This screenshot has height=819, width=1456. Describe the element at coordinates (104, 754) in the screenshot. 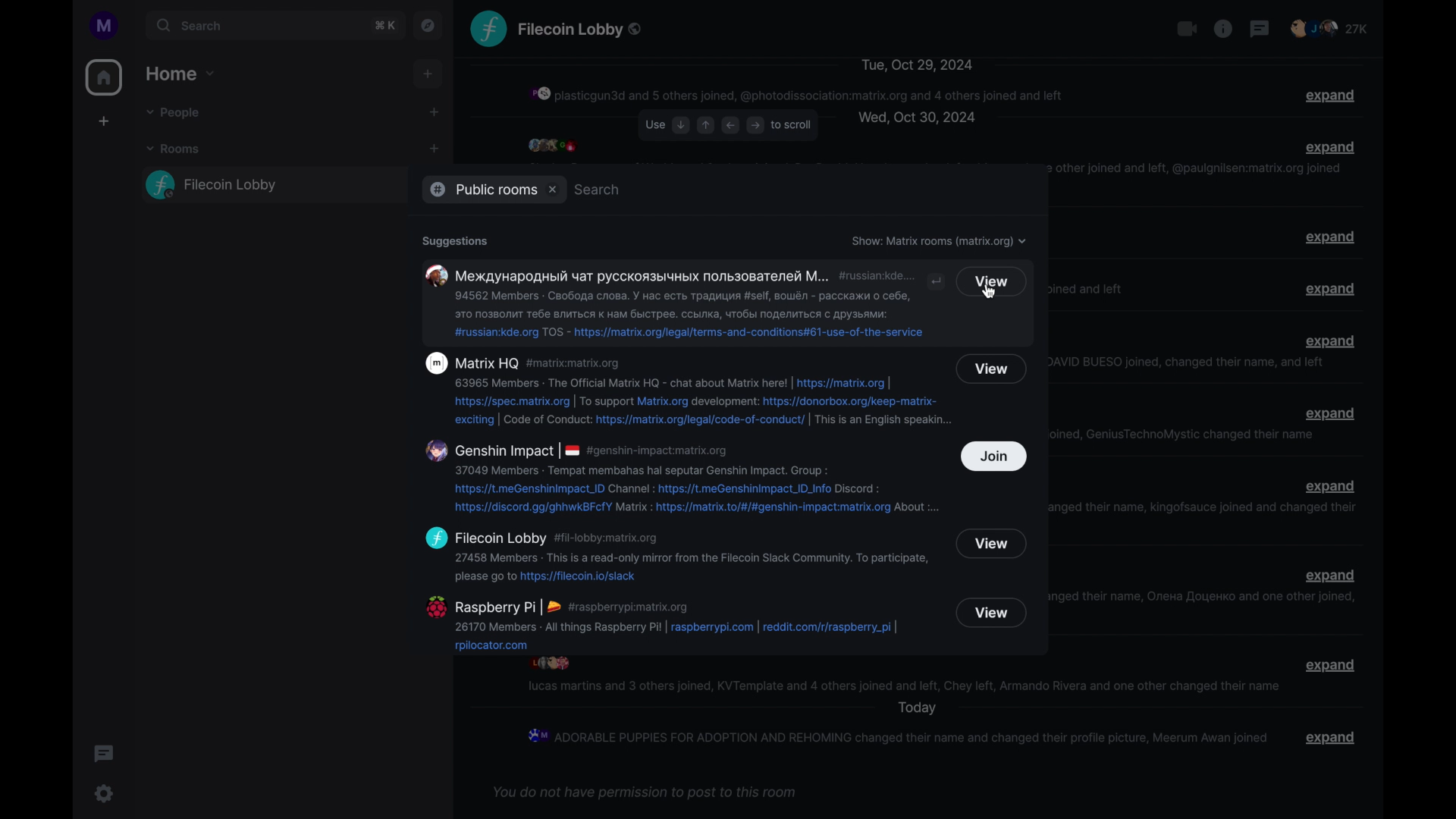

I see `thread activity` at that location.